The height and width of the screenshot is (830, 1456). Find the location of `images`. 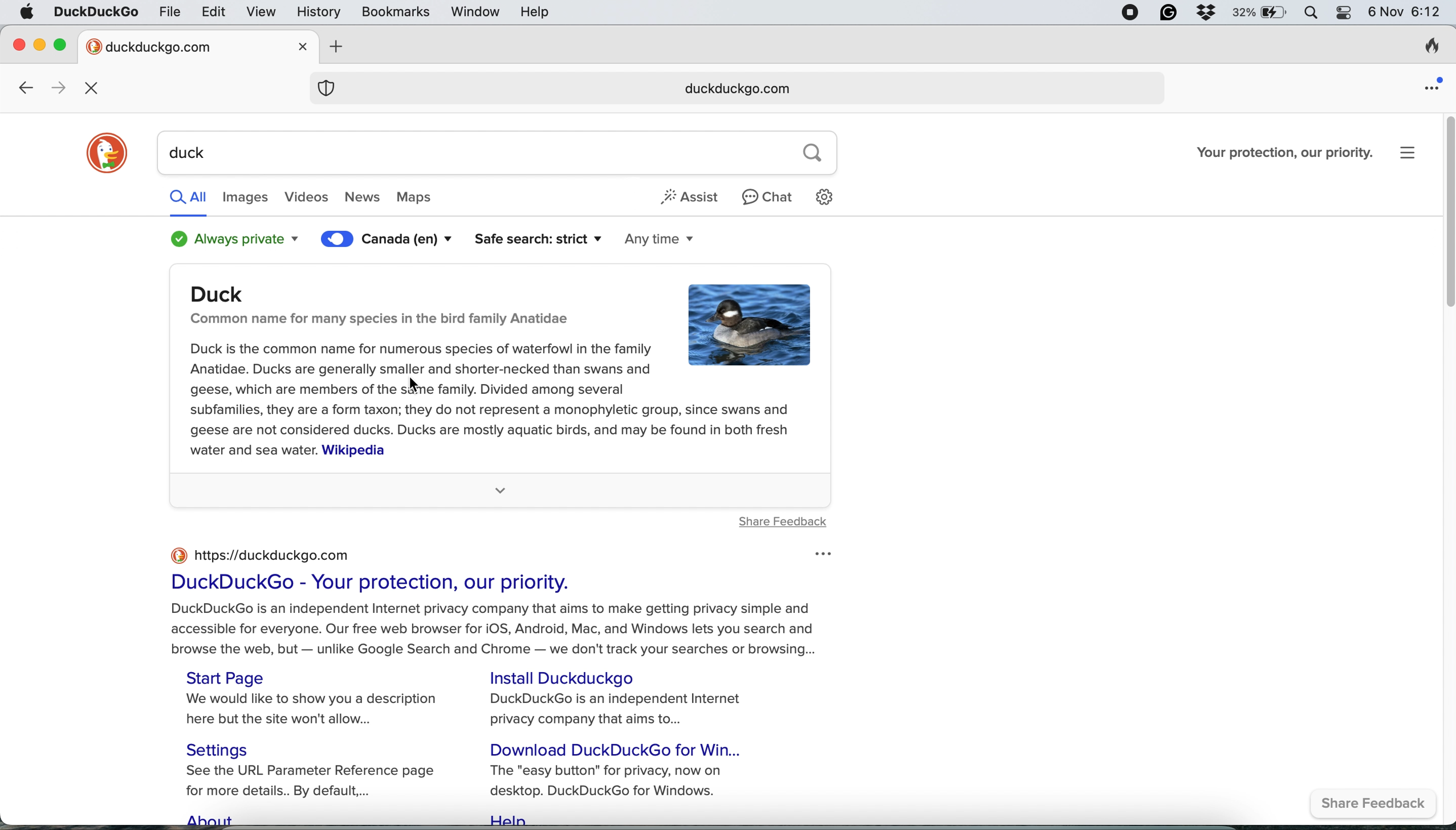

images is located at coordinates (245, 198).